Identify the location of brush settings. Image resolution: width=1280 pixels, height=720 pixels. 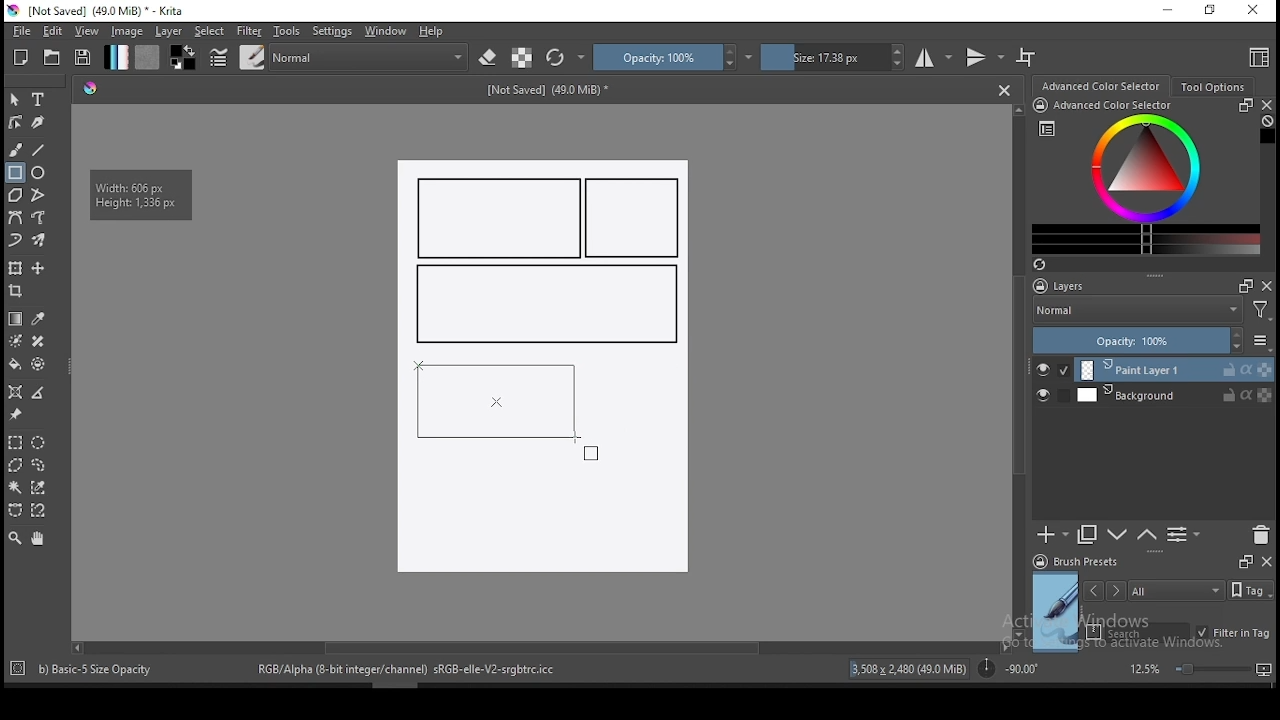
(217, 57).